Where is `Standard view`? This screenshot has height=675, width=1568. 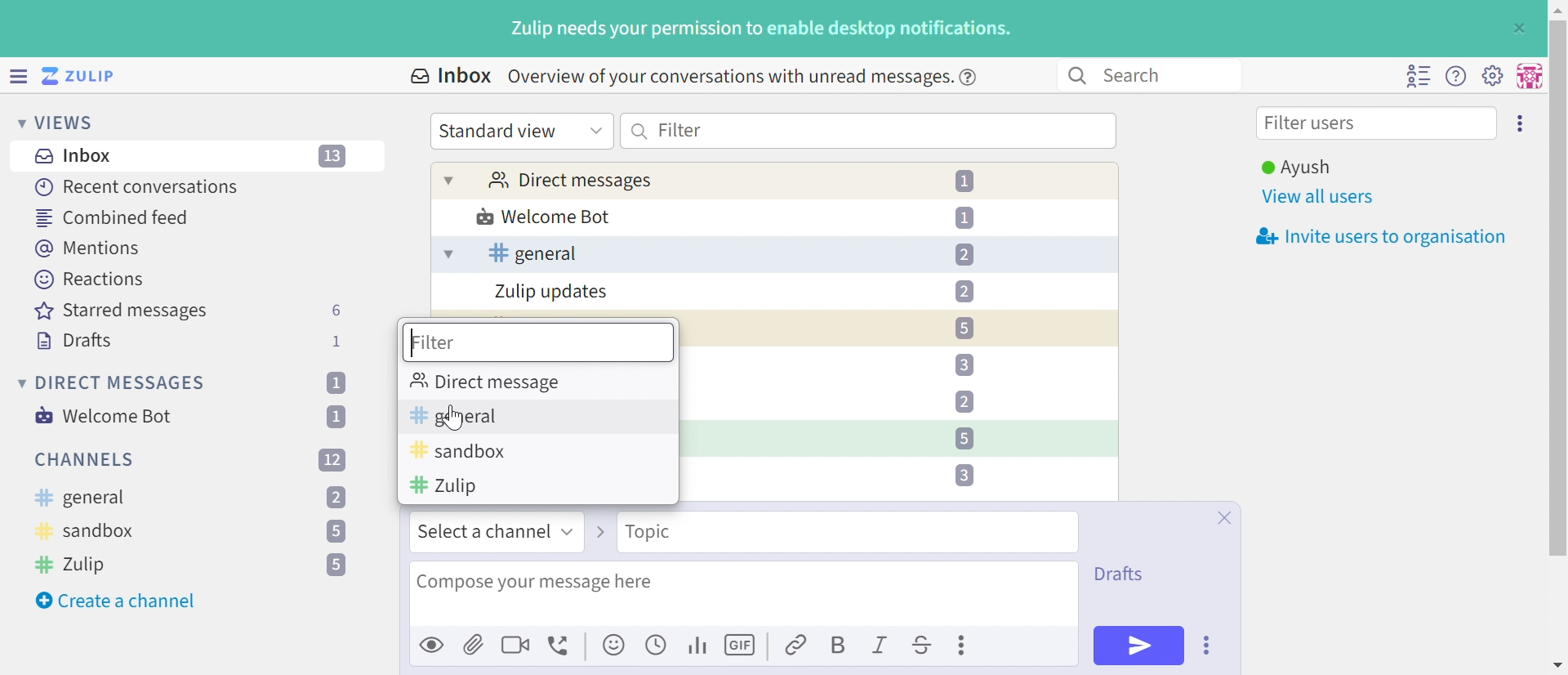
Standard view is located at coordinates (501, 131).